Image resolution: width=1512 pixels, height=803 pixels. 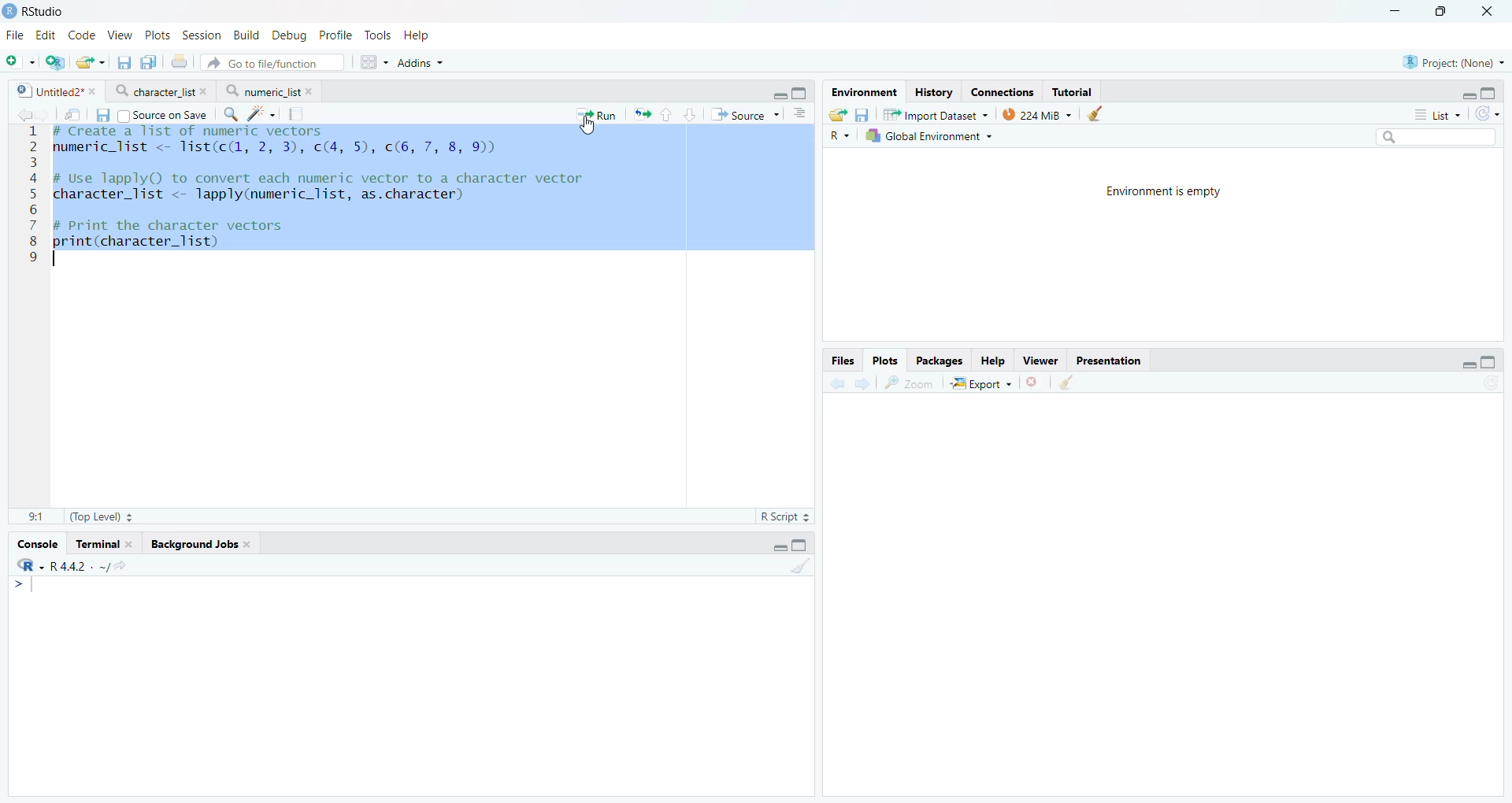 I want to click on Source on Save, so click(x=162, y=115).